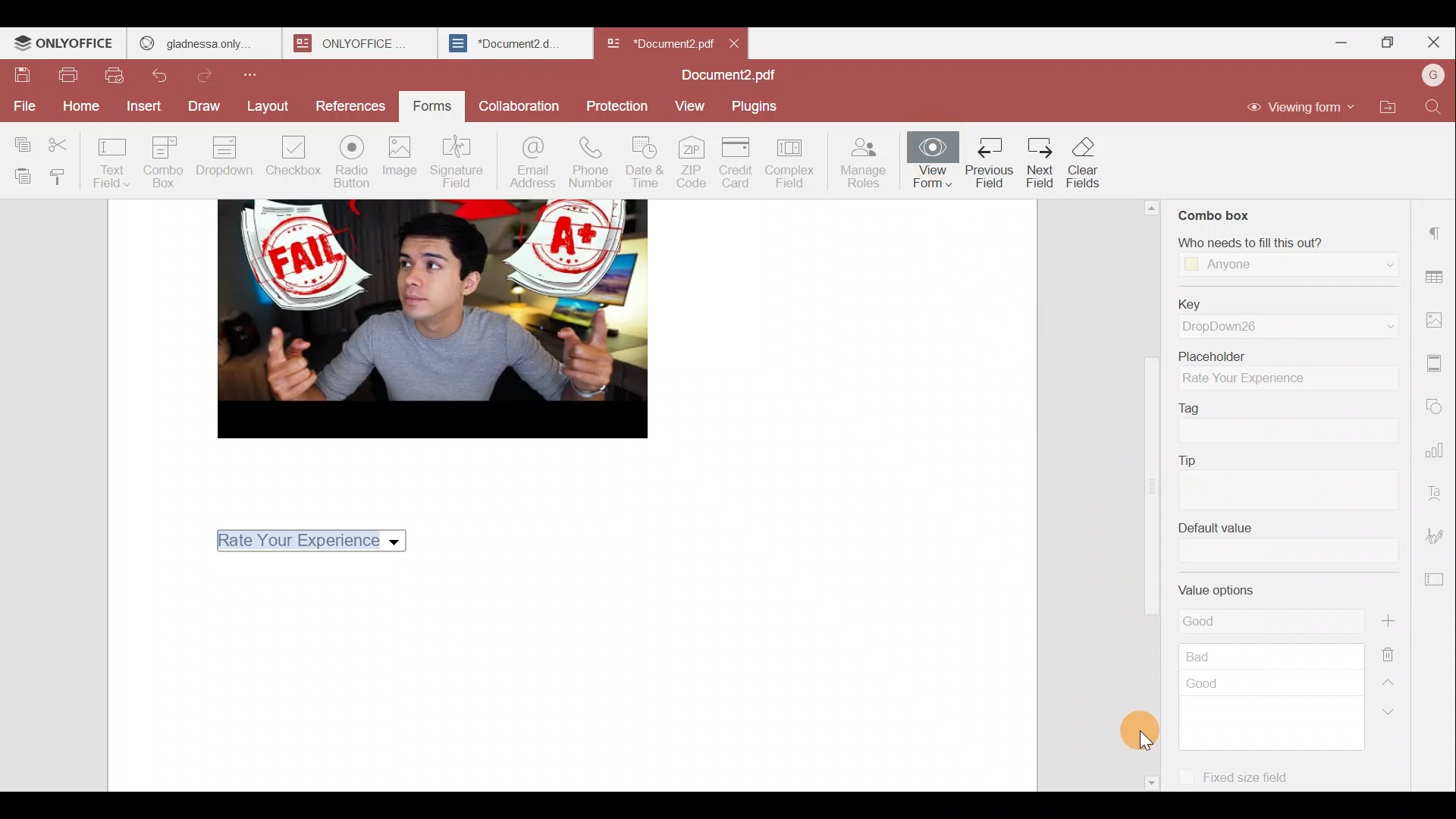  Describe the element at coordinates (738, 162) in the screenshot. I see `Credit card` at that location.